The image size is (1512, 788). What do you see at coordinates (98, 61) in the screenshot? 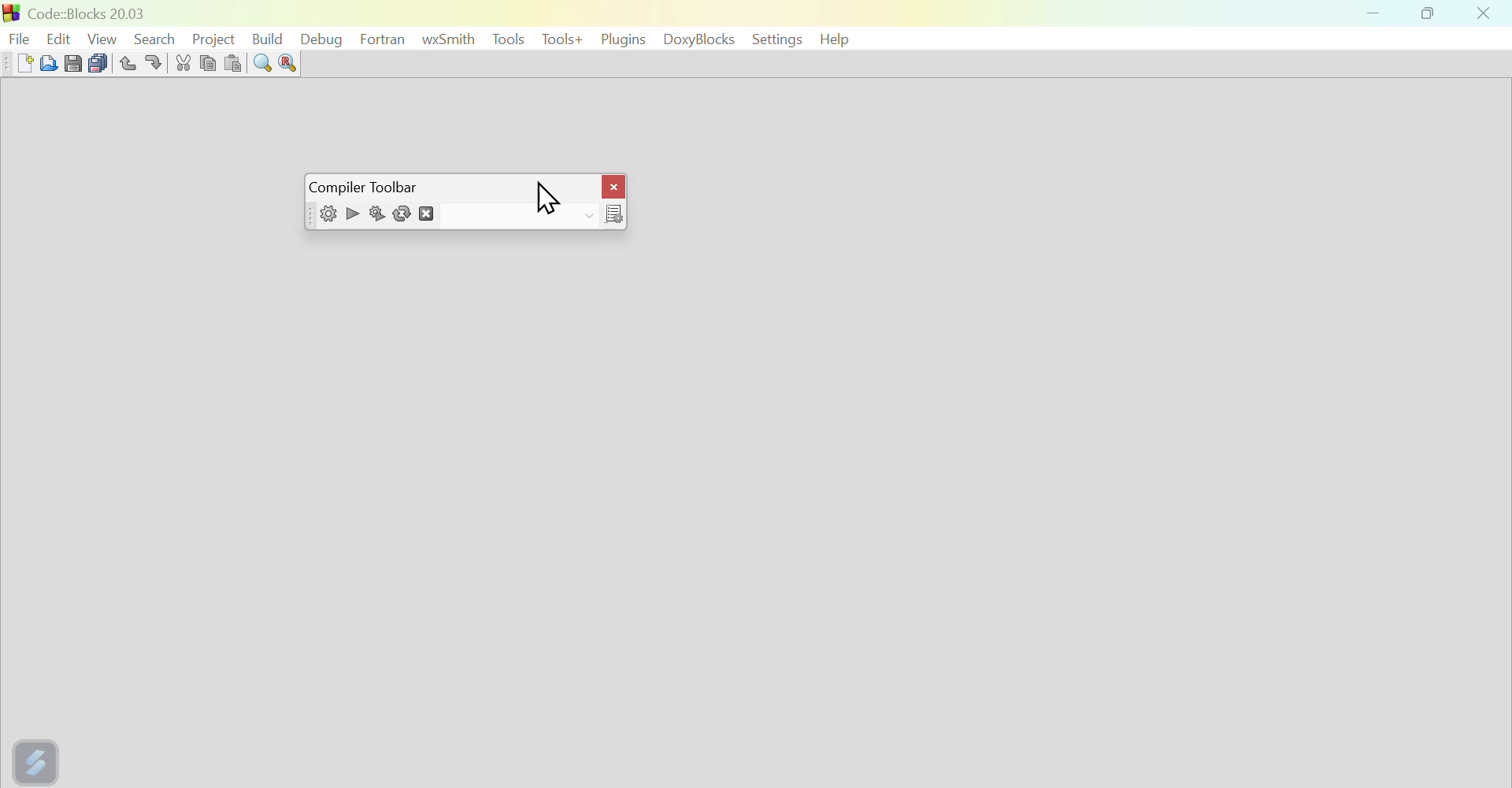
I see `Save multiple` at bounding box center [98, 61].